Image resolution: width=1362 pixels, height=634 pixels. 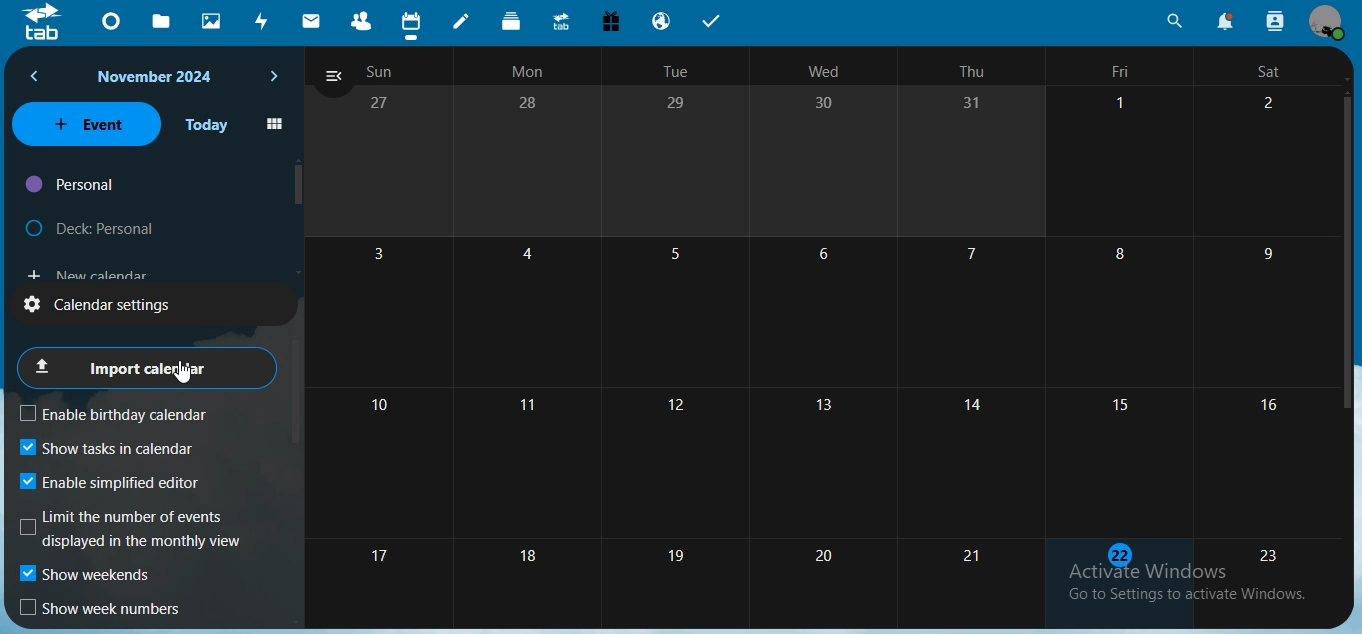 I want to click on deck, so click(x=513, y=21).